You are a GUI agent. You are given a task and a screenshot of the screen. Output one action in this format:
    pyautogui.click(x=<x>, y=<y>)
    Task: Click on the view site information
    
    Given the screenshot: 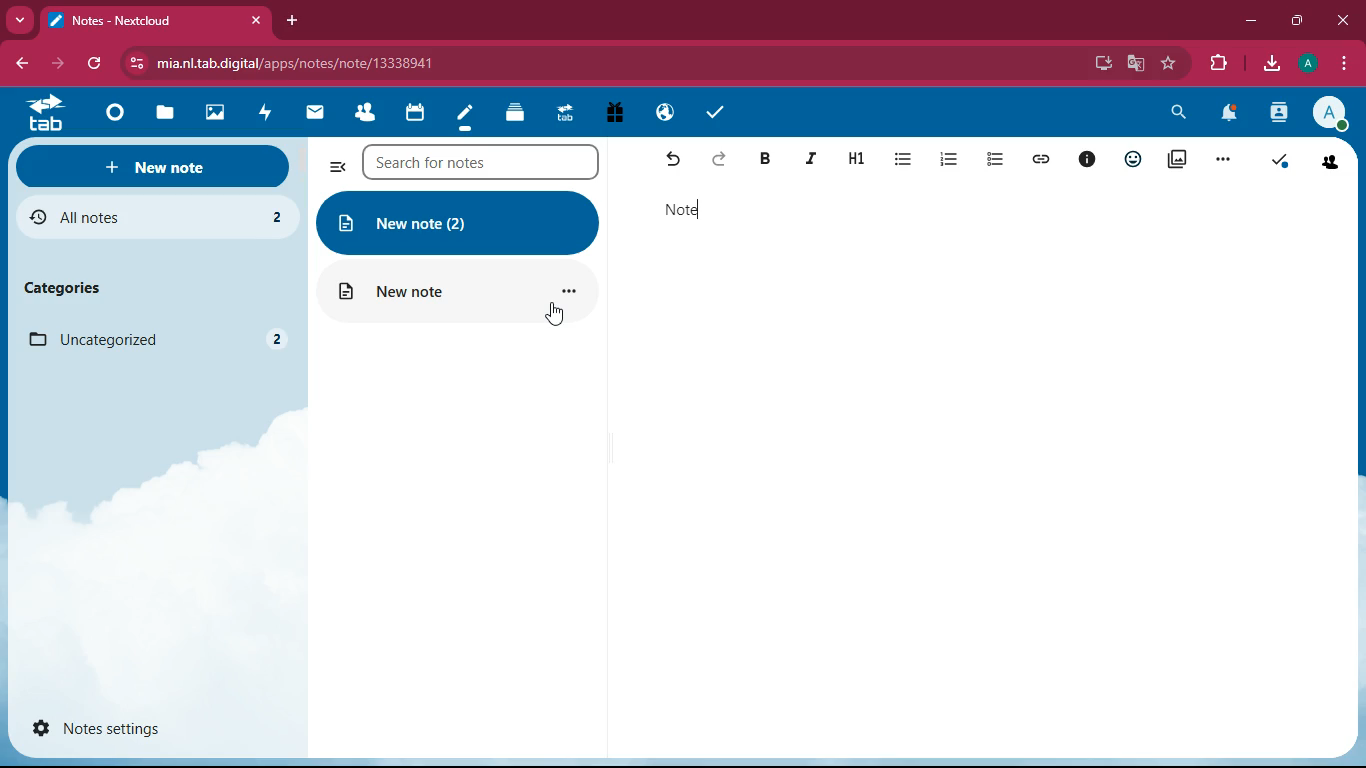 What is the action you would take?
    pyautogui.click(x=135, y=64)
    